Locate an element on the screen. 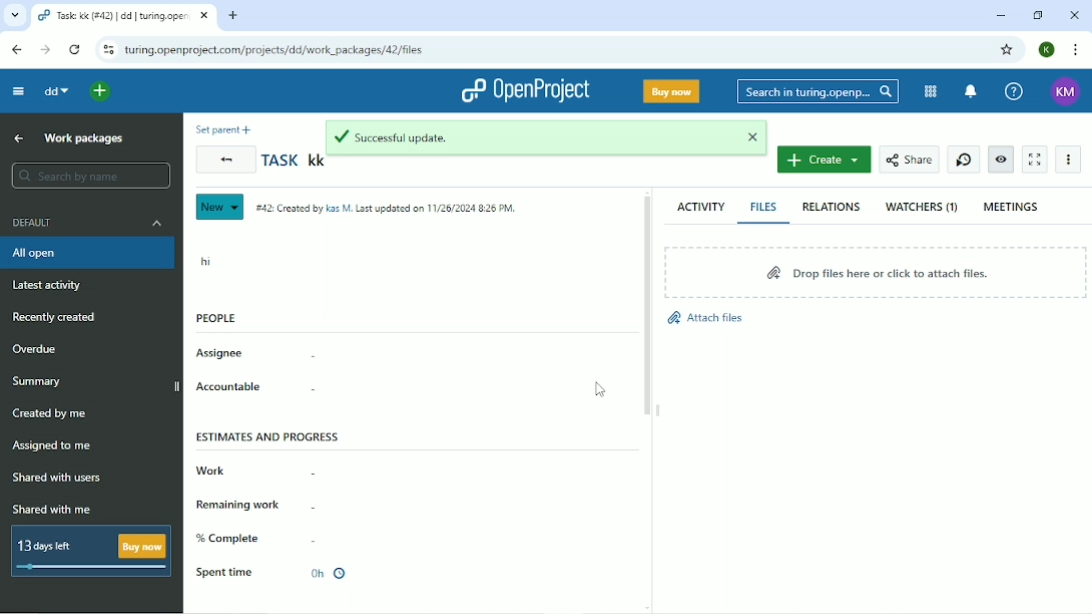 Image resolution: width=1092 pixels, height=614 pixels. Unwatch work package is located at coordinates (1000, 159).